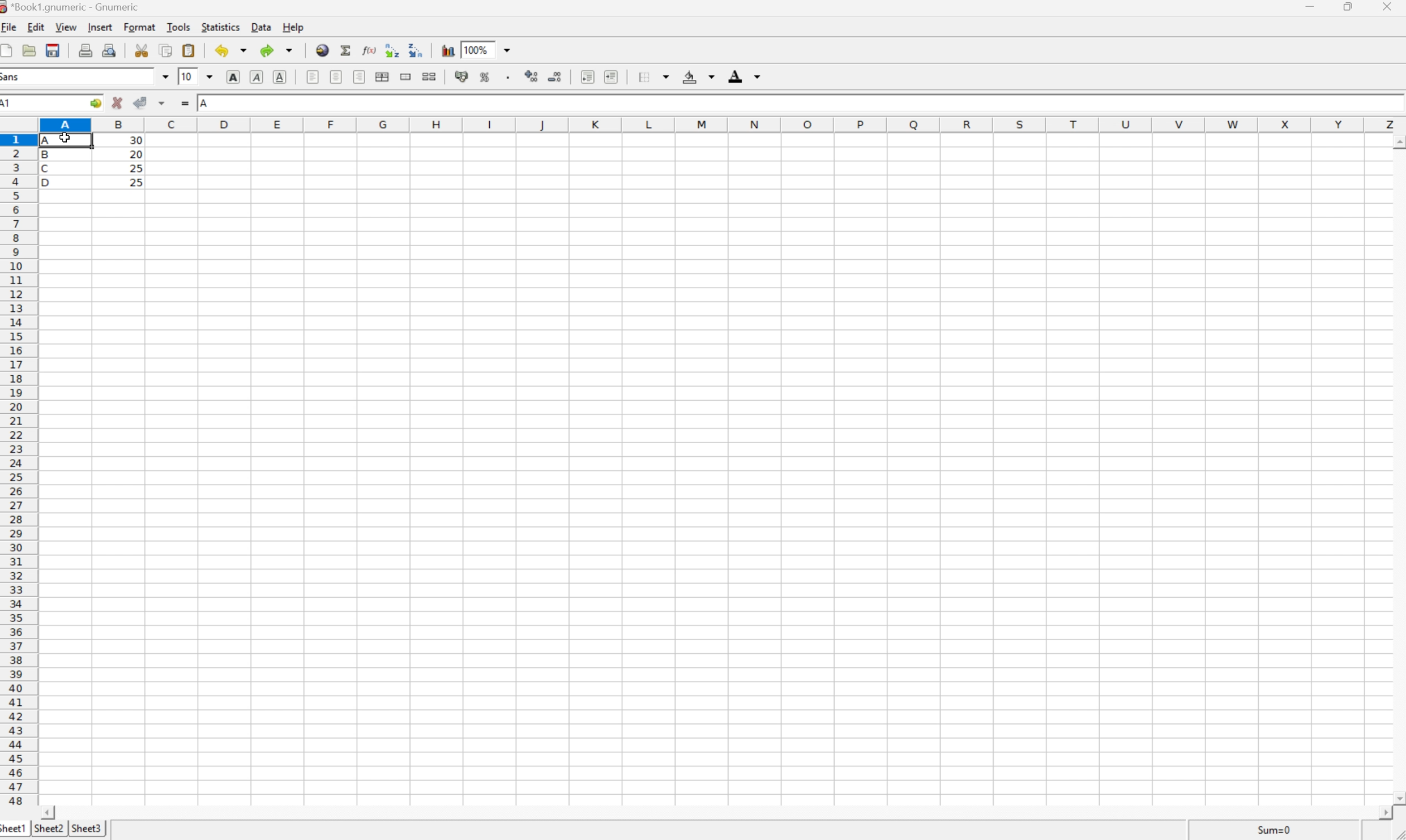 The image size is (1406, 840). I want to click on Sans, so click(12, 76).